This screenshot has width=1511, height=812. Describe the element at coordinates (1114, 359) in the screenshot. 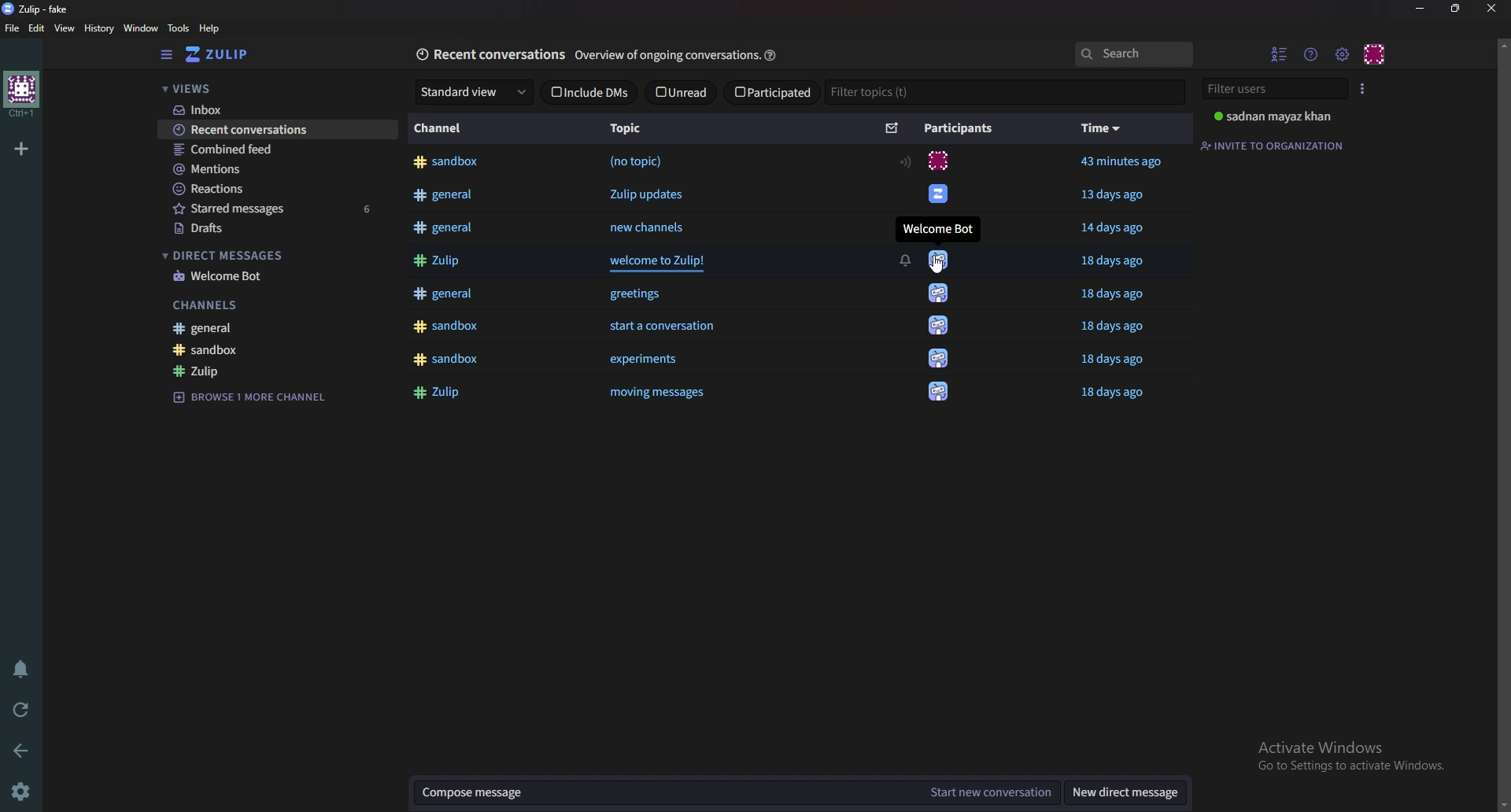

I see `18 days ago` at that location.